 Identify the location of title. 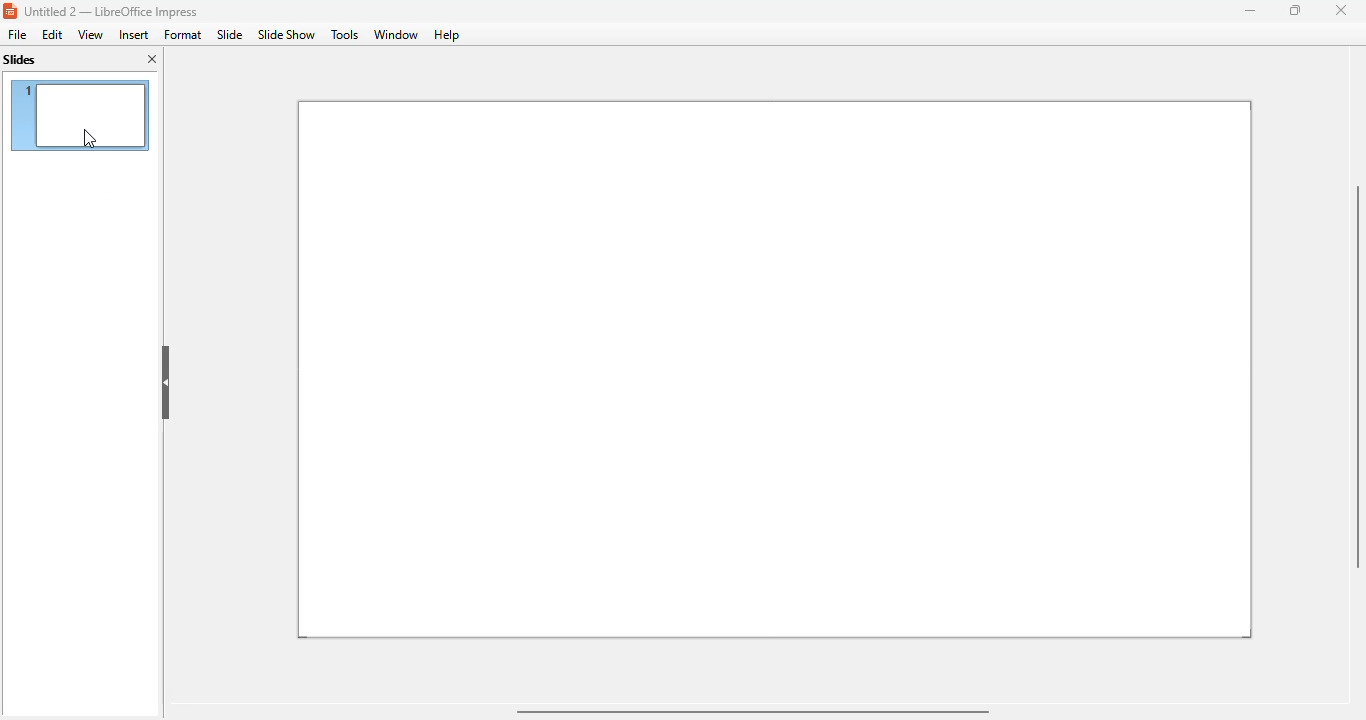
(110, 12).